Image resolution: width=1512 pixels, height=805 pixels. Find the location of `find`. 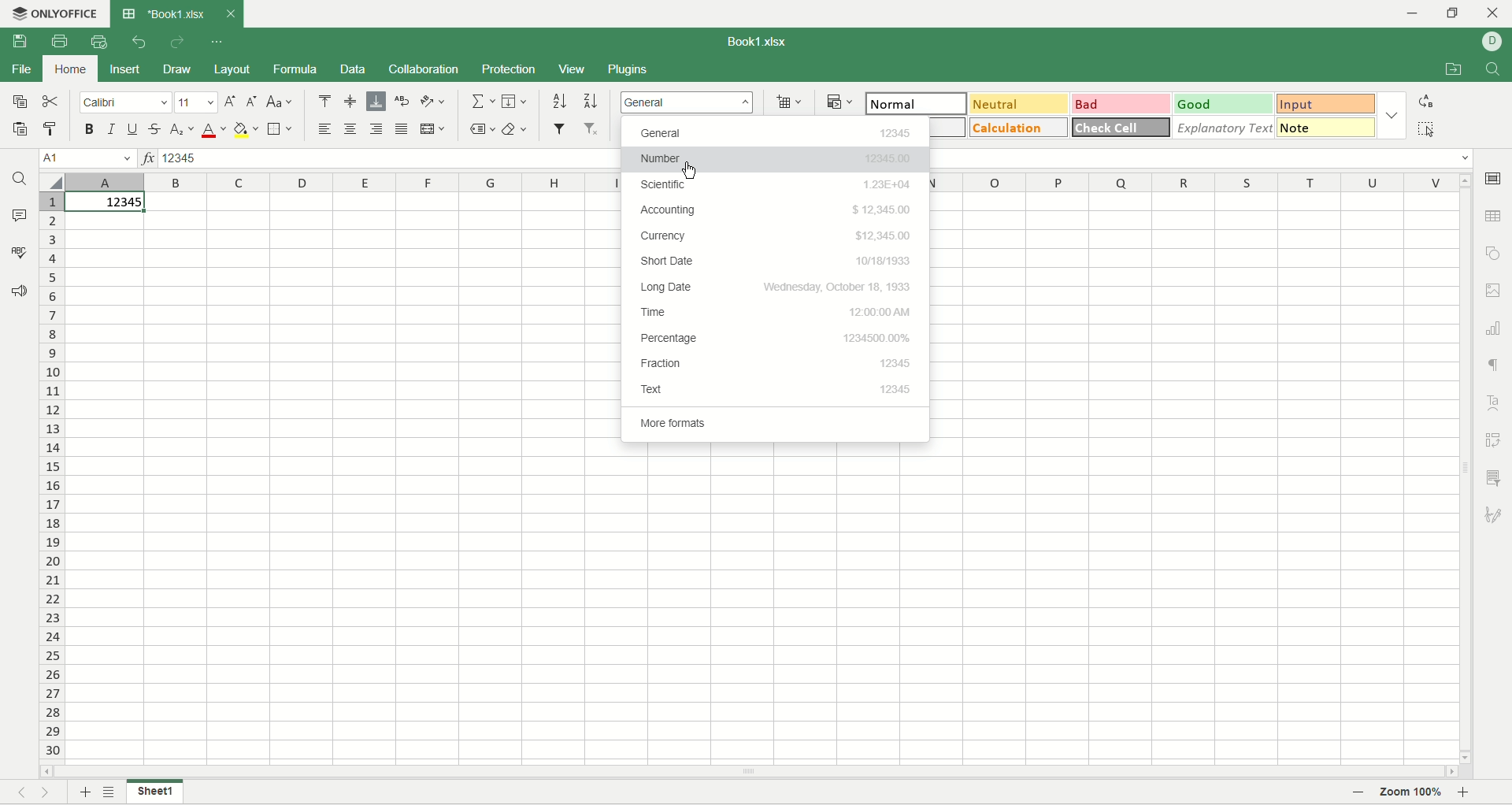

find is located at coordinates (18, 180).